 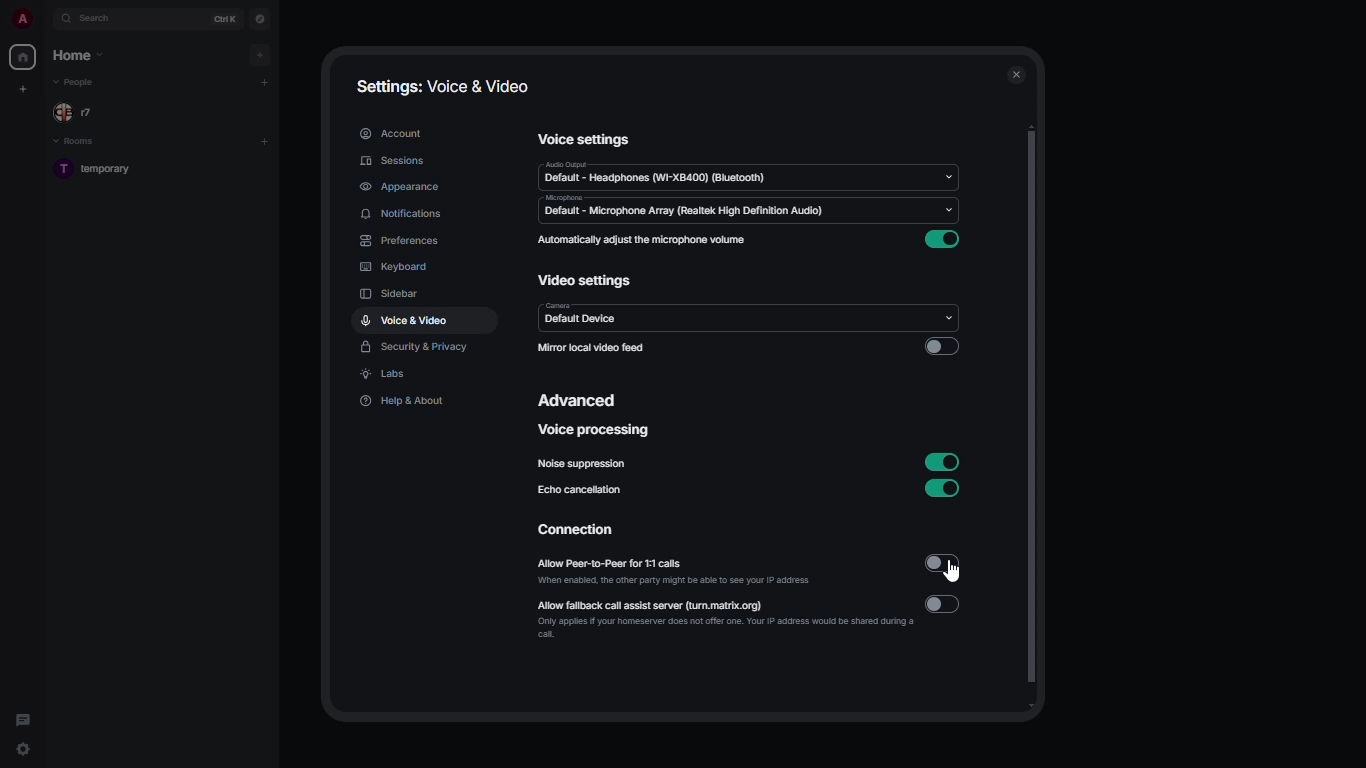 What do you see at coordinates (947, 172) in the screenshot?
I see `drop down` at bounding box center [947, 172].